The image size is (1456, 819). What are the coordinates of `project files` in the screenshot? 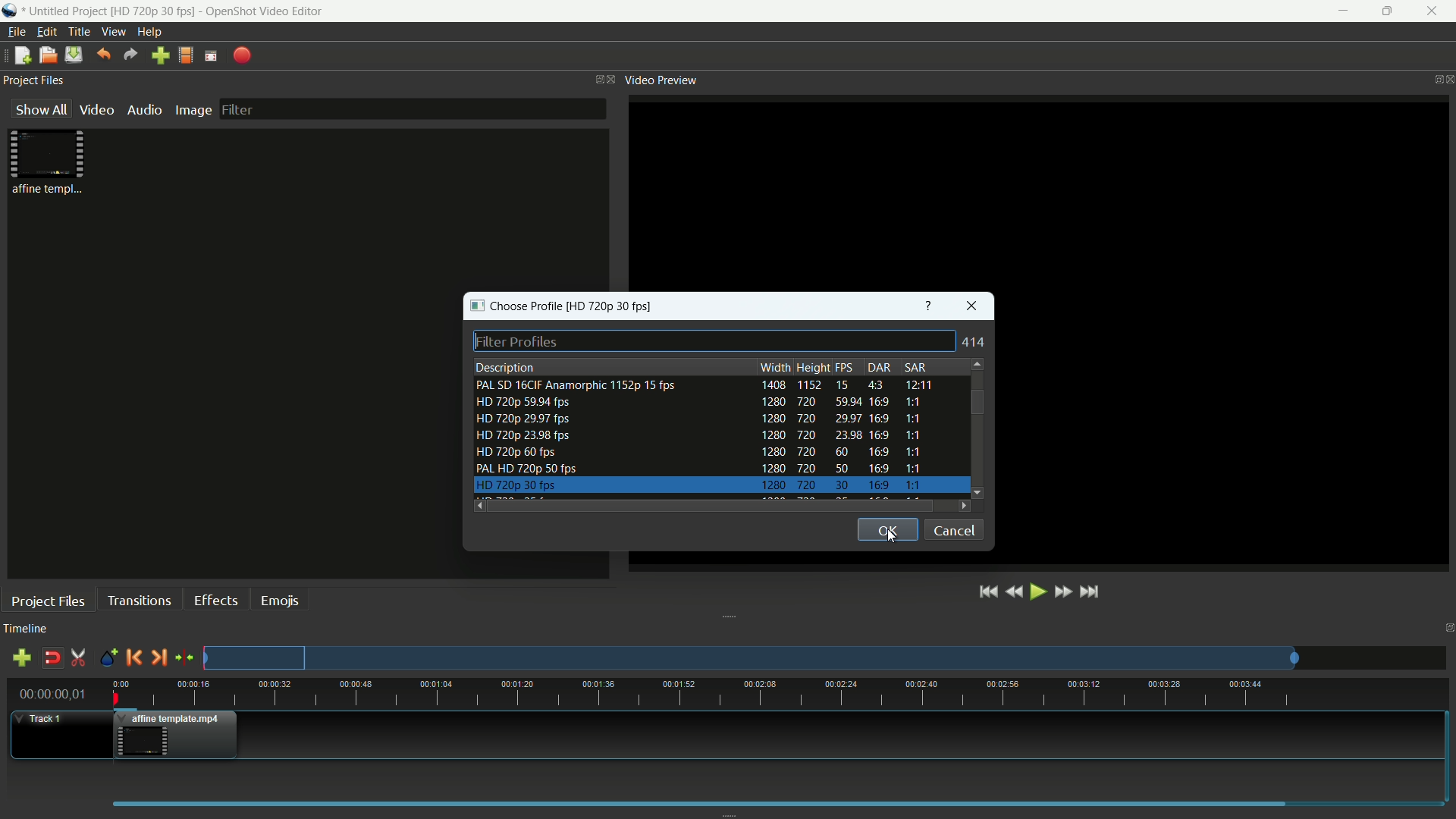 It's located at (47, 602).